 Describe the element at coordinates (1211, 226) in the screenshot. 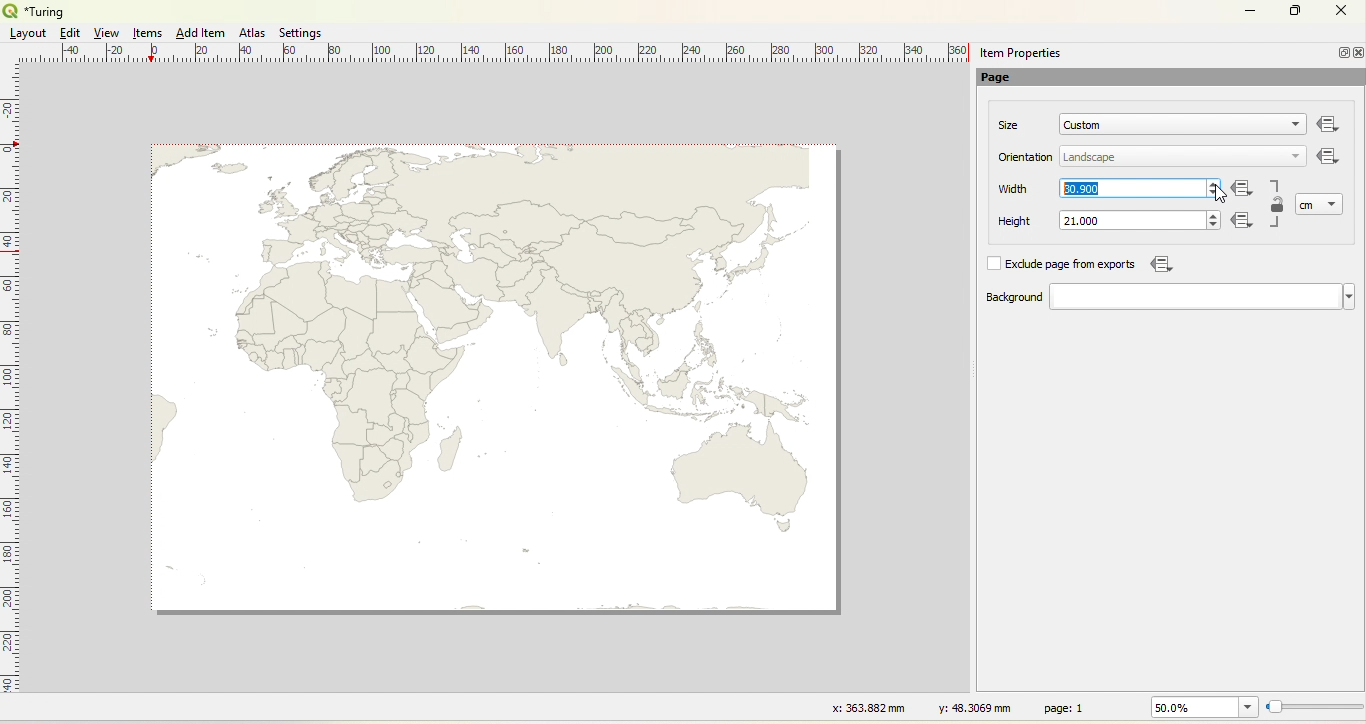

I see `decrease` at that location.